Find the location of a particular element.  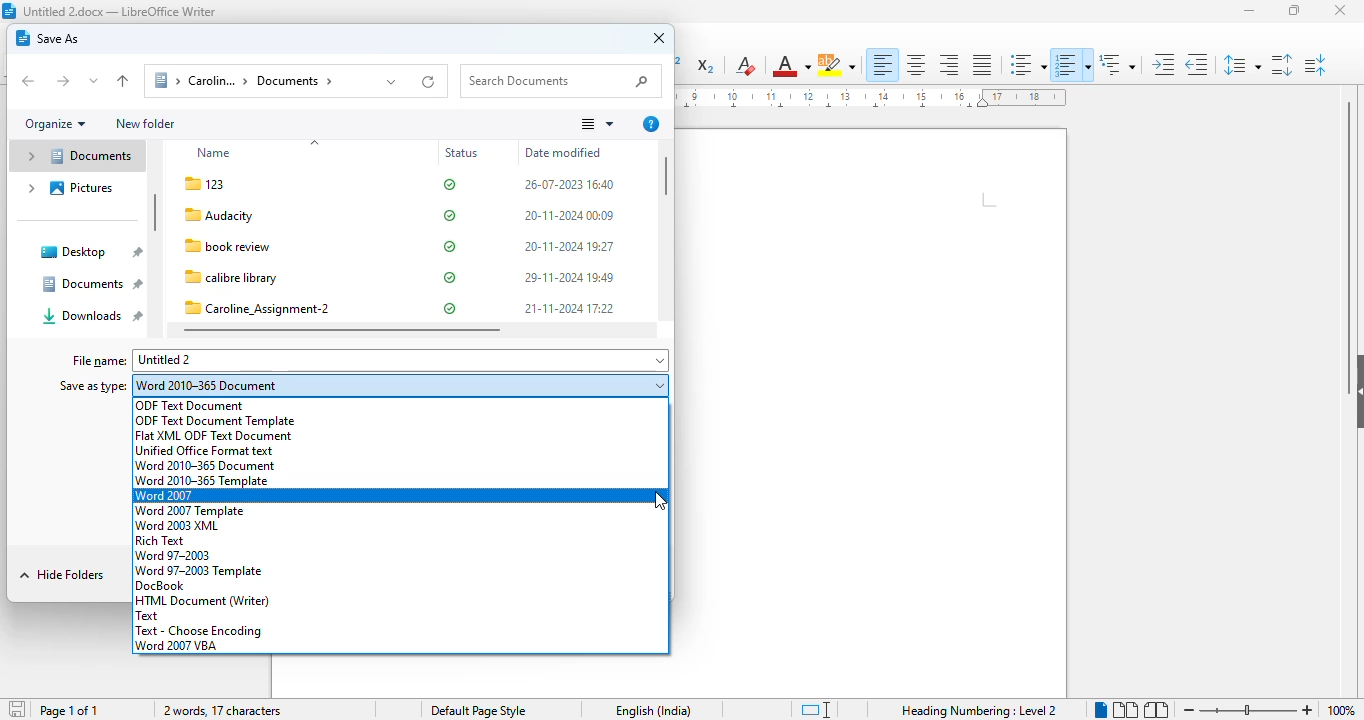

search documents is located at coordinates (560, 81).